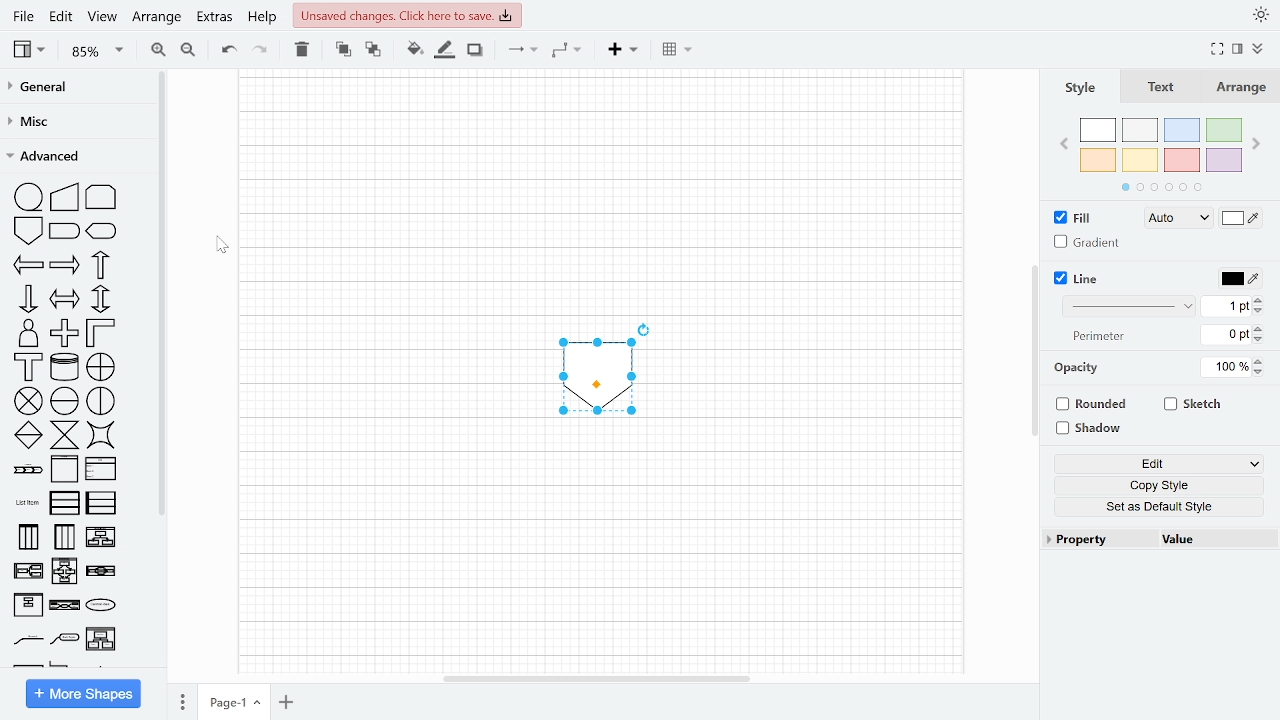  Describe the element at coordinates (373, 50) in the screenshot. I see `TO back` at that location.